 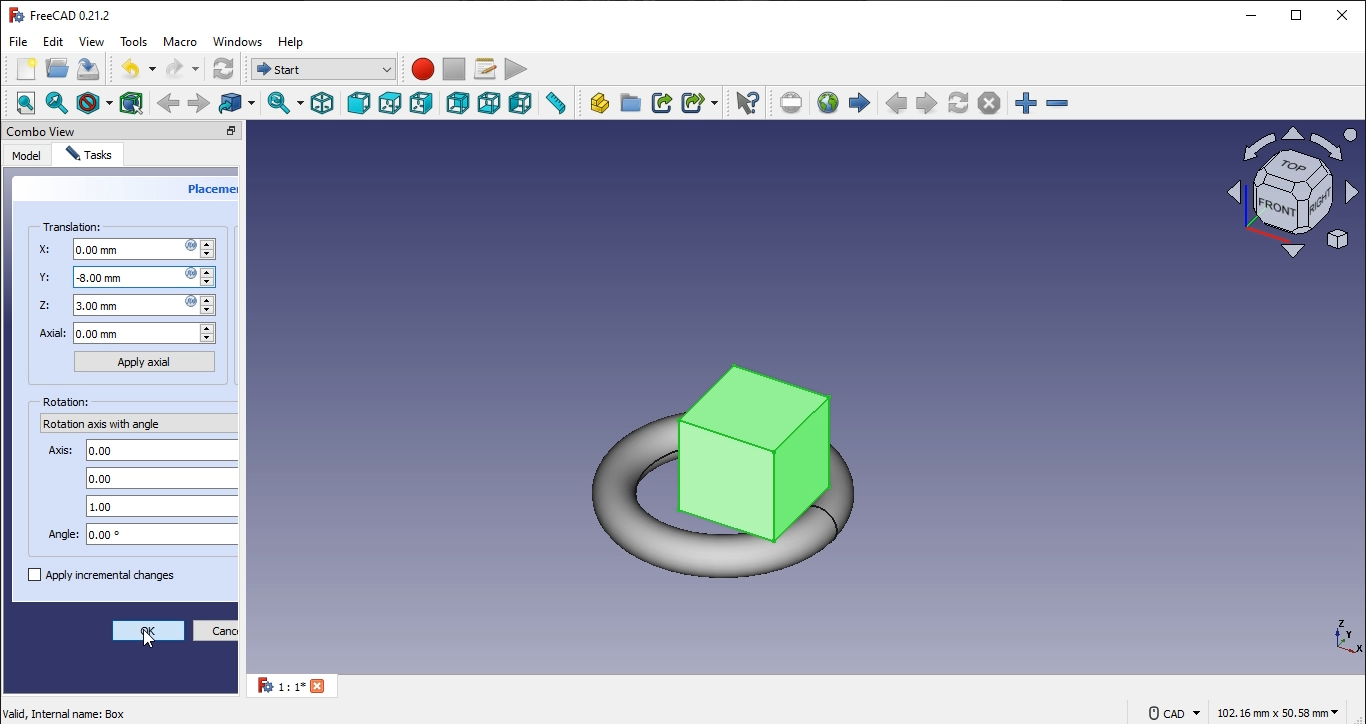 I want to click on Y, so click(x=124, y=277).